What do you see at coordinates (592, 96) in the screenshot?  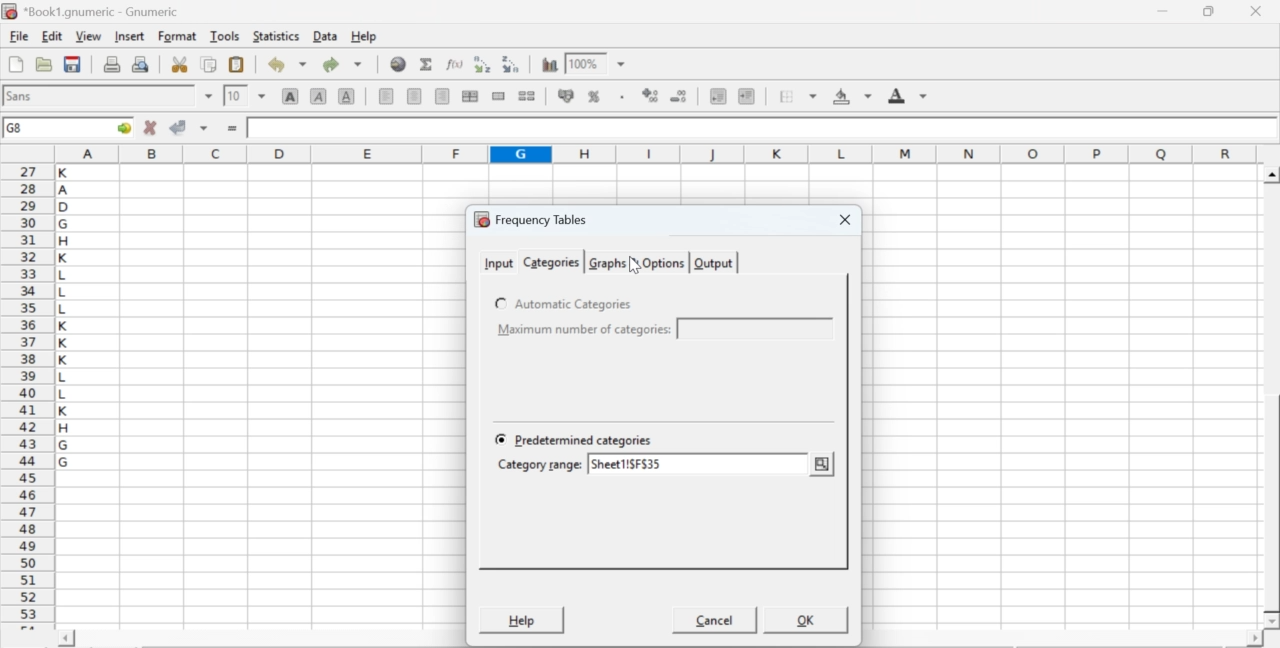 I see `format selection as percentage` at bounding box center [592, 96].